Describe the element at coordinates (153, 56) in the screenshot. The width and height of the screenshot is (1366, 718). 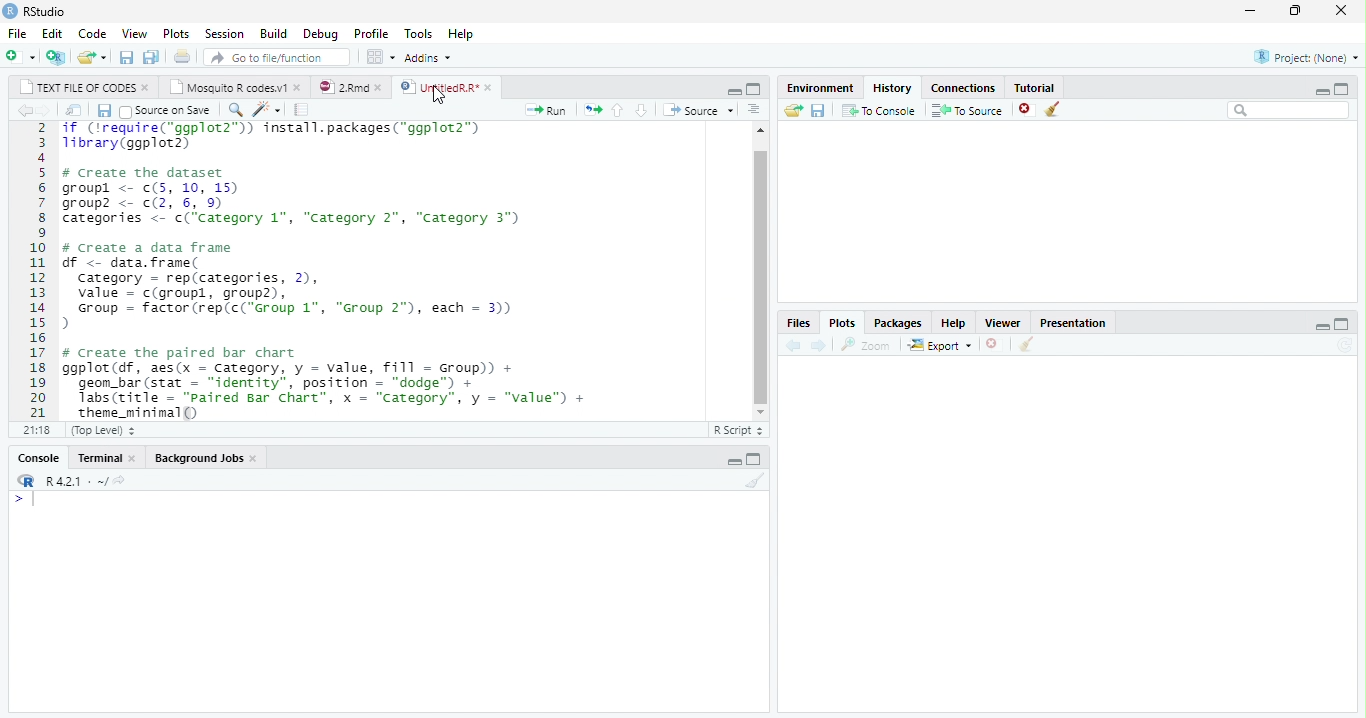
I see `save all document` at that location.